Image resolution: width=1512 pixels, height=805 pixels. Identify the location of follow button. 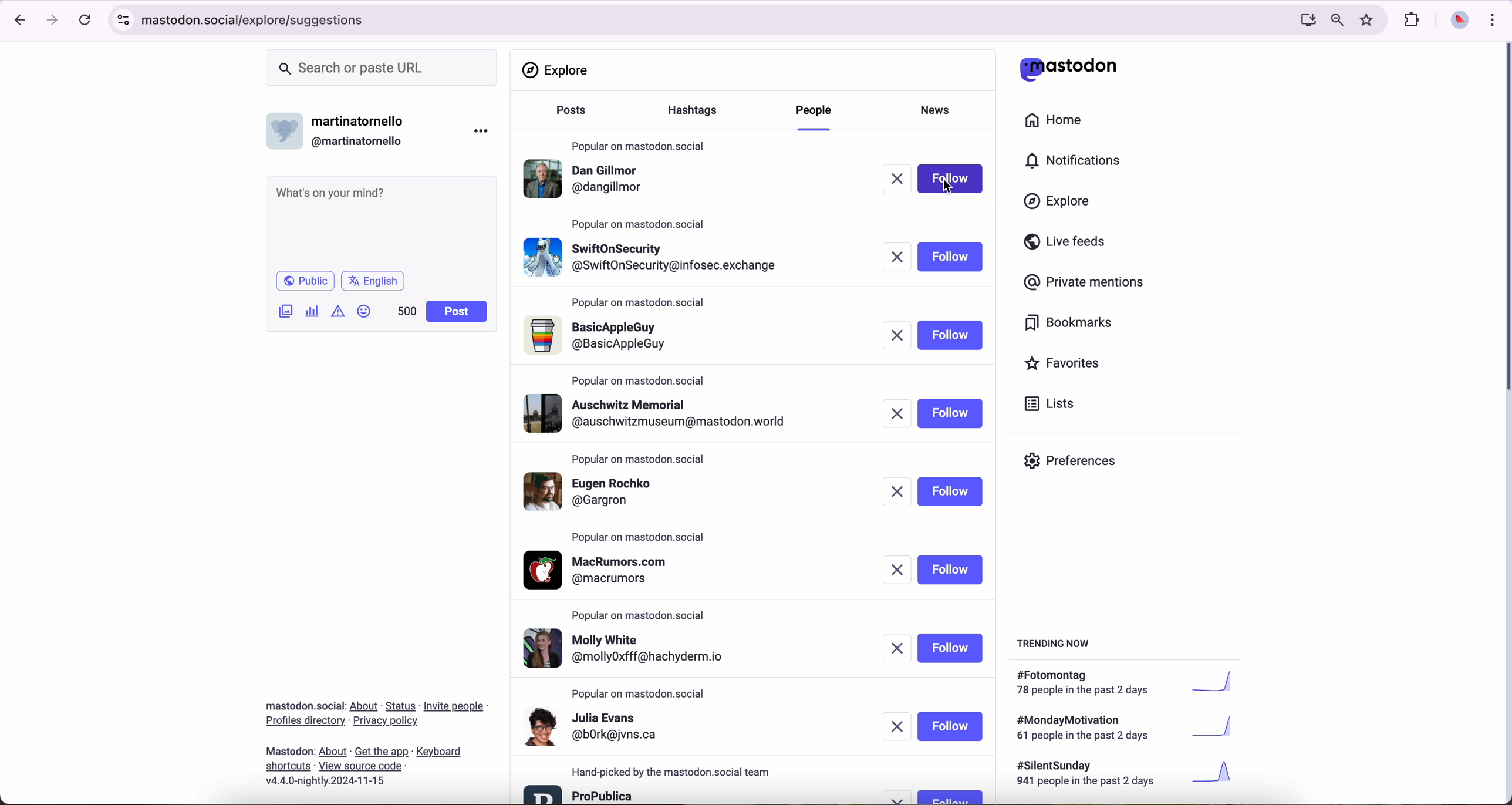
(949, 335).